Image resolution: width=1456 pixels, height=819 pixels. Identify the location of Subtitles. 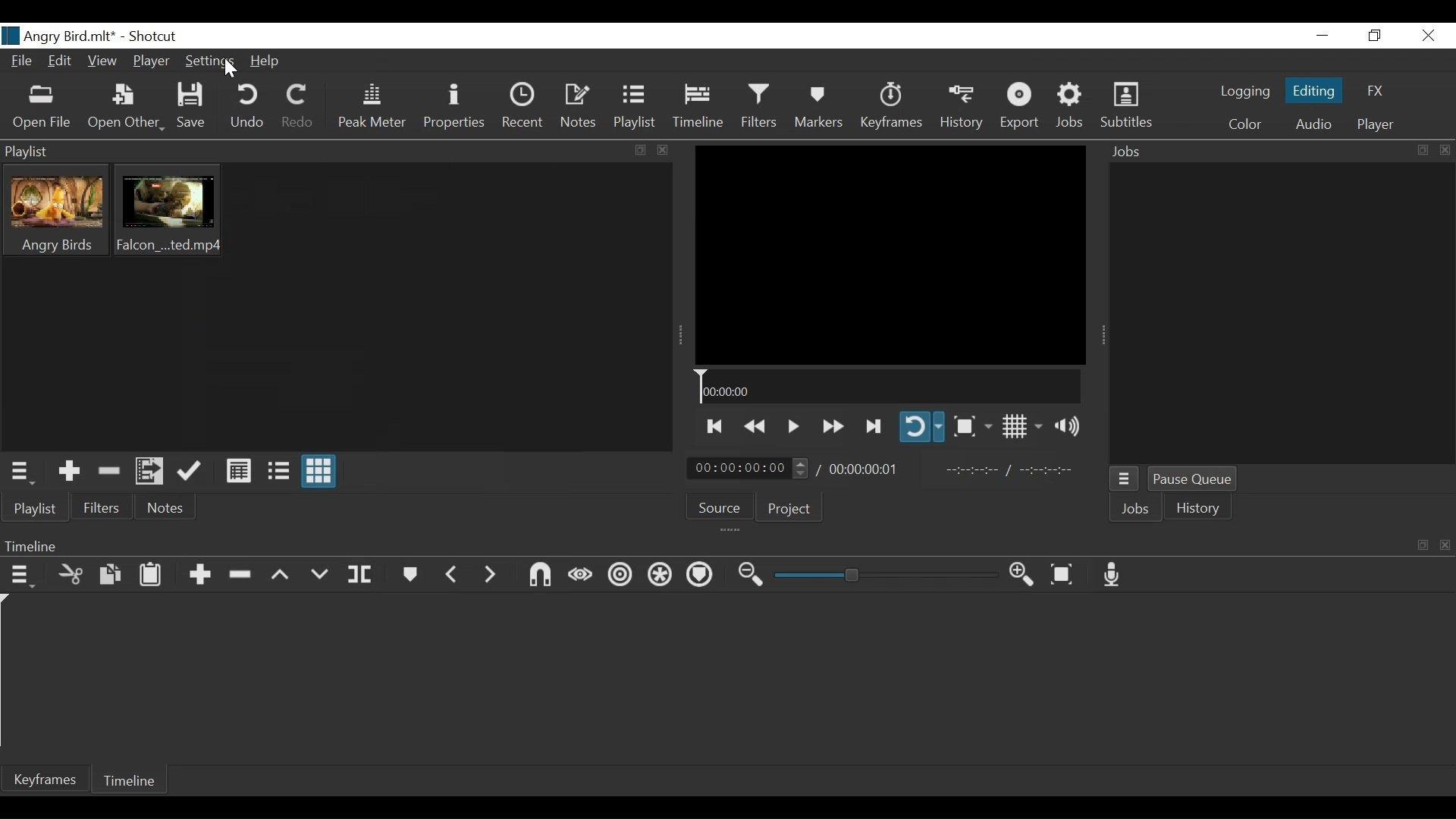
(1127, 106).